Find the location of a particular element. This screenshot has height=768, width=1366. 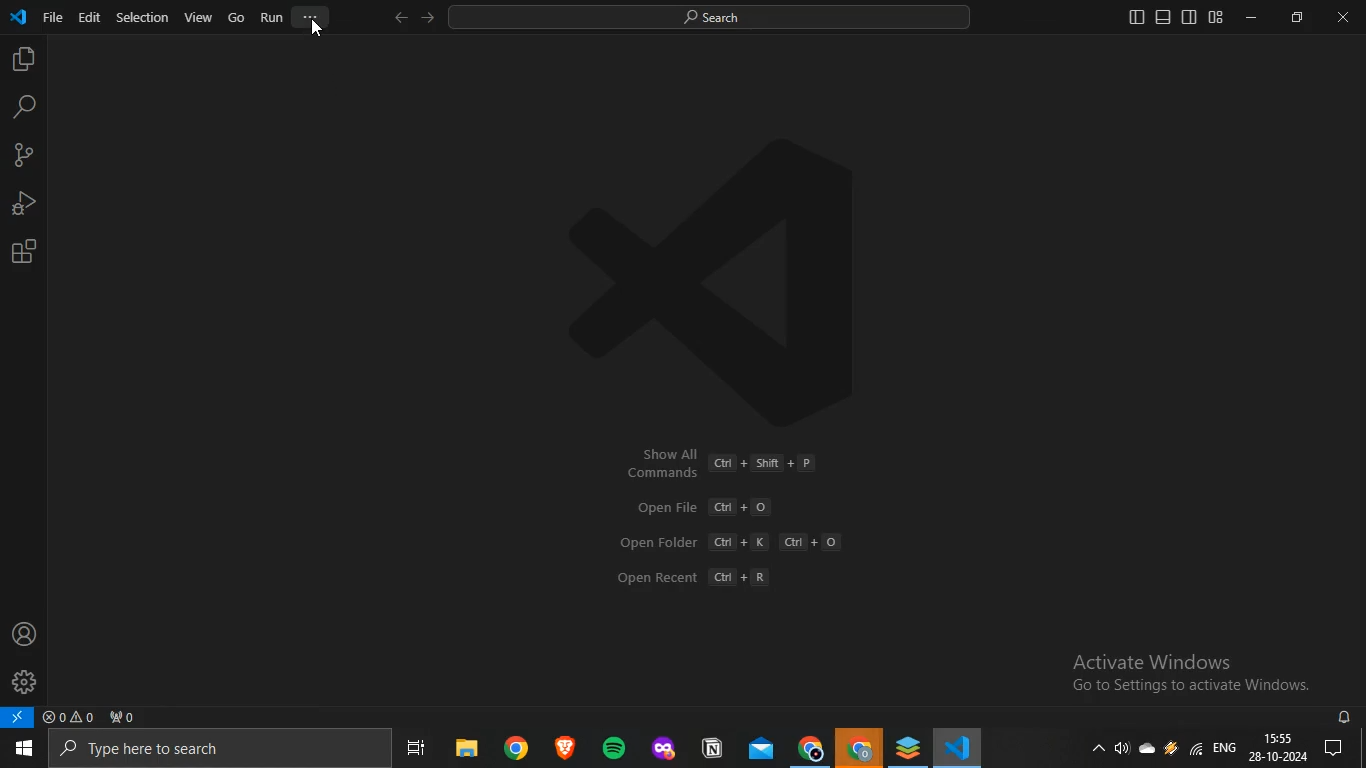

manage is located at coordinates (24, 679).